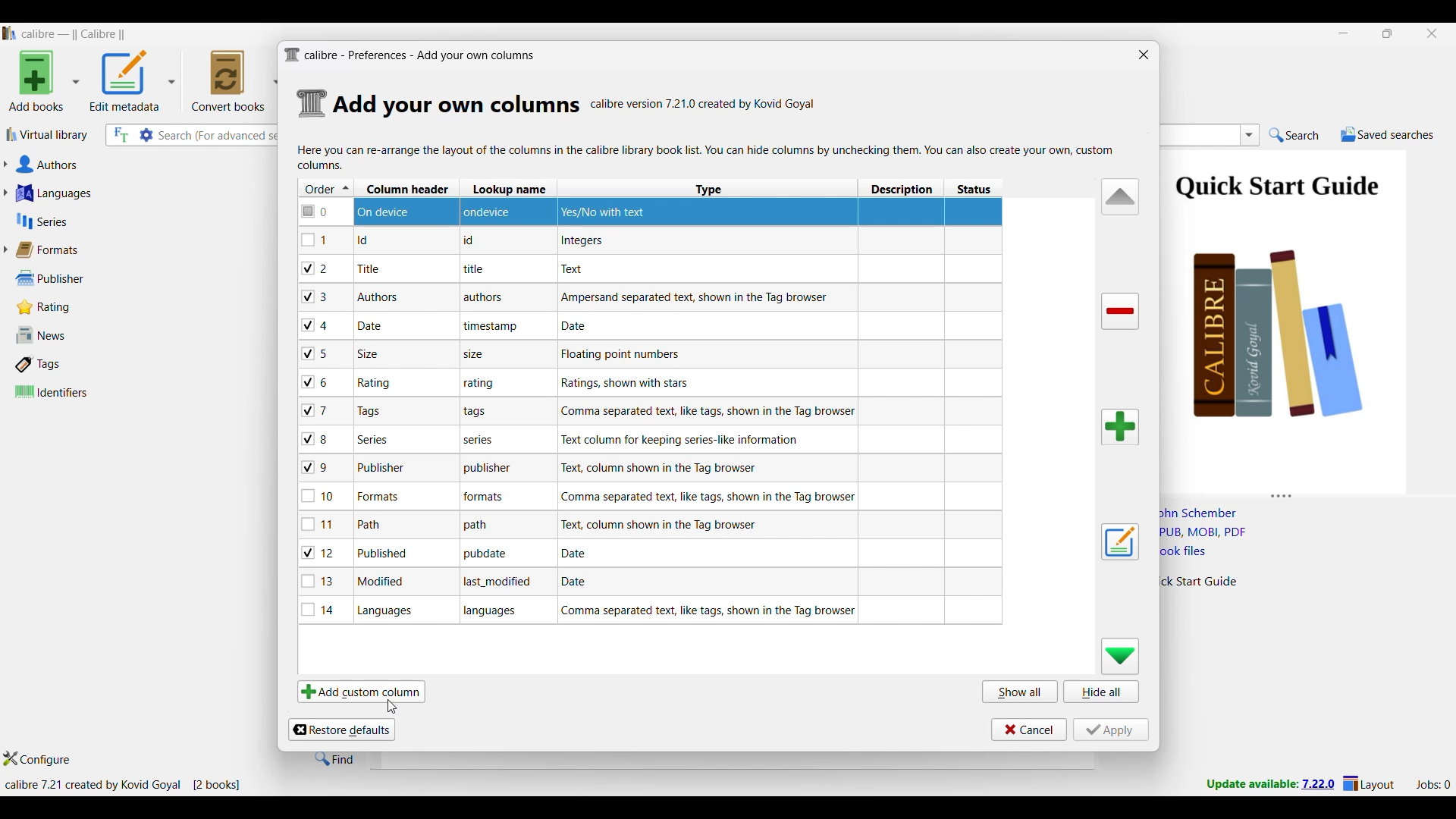 Image resolution: width=1456 pixels, height=819 pixels. I want to click on note, so click(480, 356).